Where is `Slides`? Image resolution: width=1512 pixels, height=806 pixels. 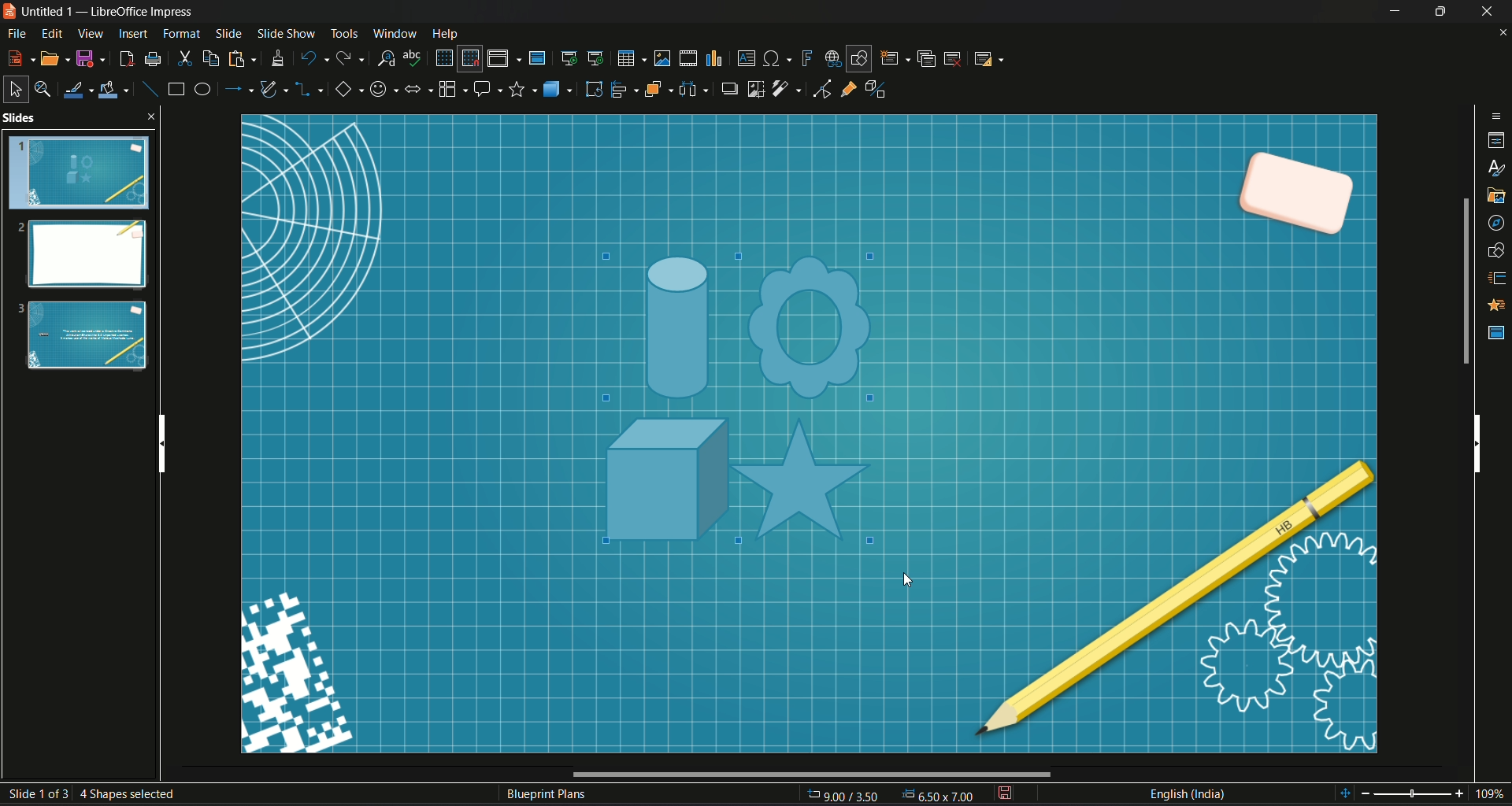 Slides is located at coordinates (80, 246).